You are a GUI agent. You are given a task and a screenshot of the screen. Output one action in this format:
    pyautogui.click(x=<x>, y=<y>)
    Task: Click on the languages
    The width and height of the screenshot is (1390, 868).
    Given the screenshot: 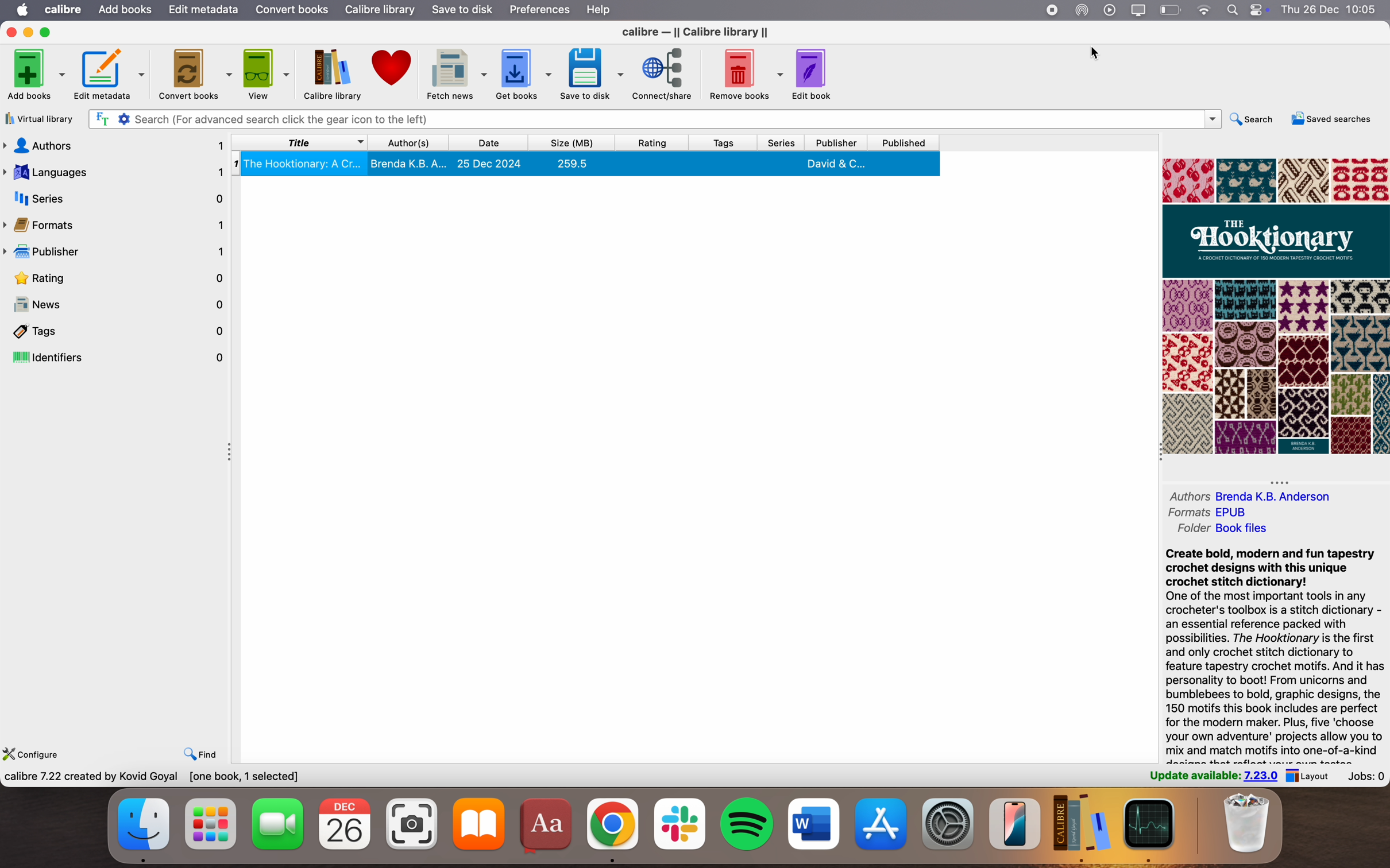 What is the action you would take?
    pyautogui.click(x=114, y=172)
    